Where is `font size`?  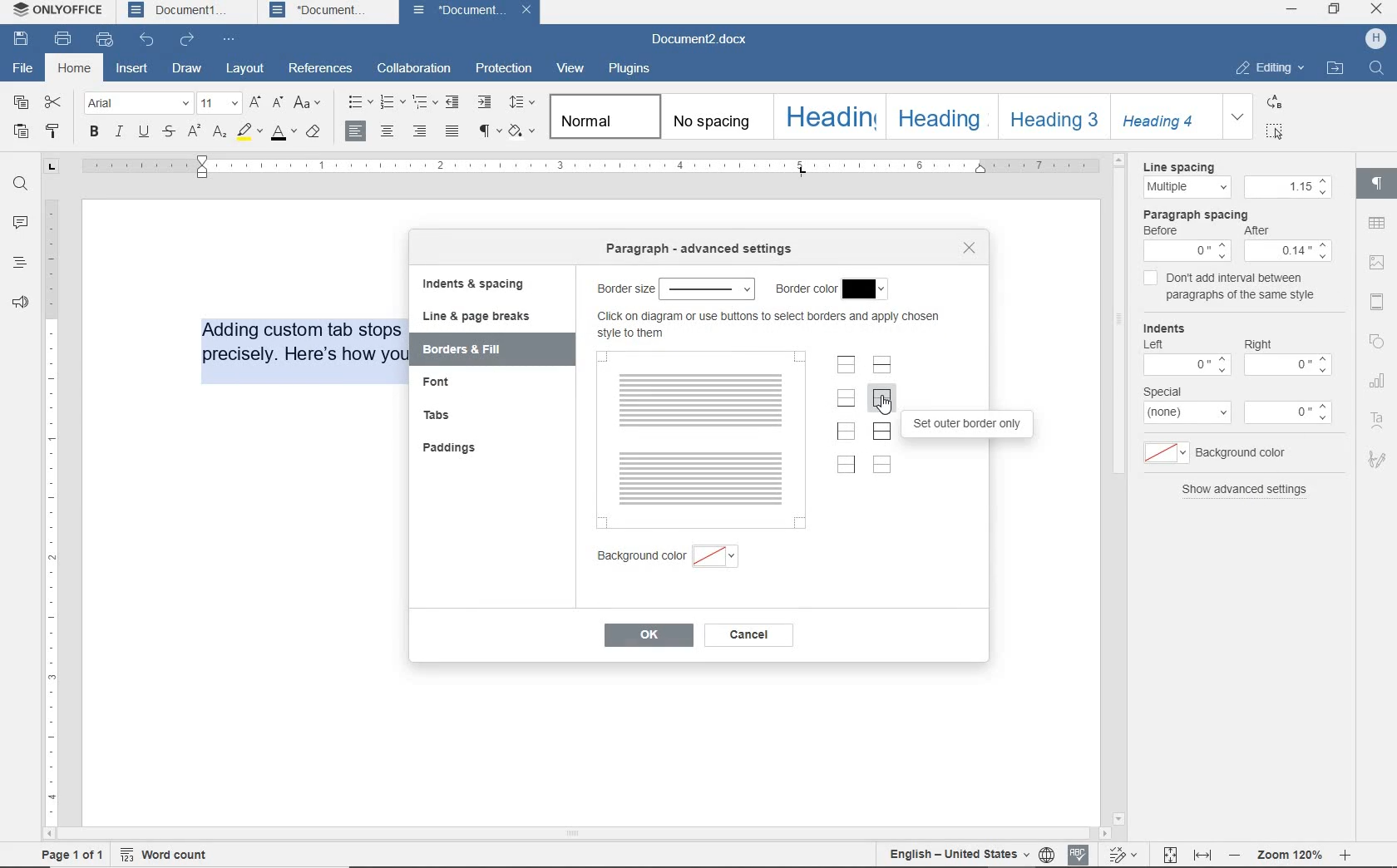 font size is located at coordinates (220, 104).